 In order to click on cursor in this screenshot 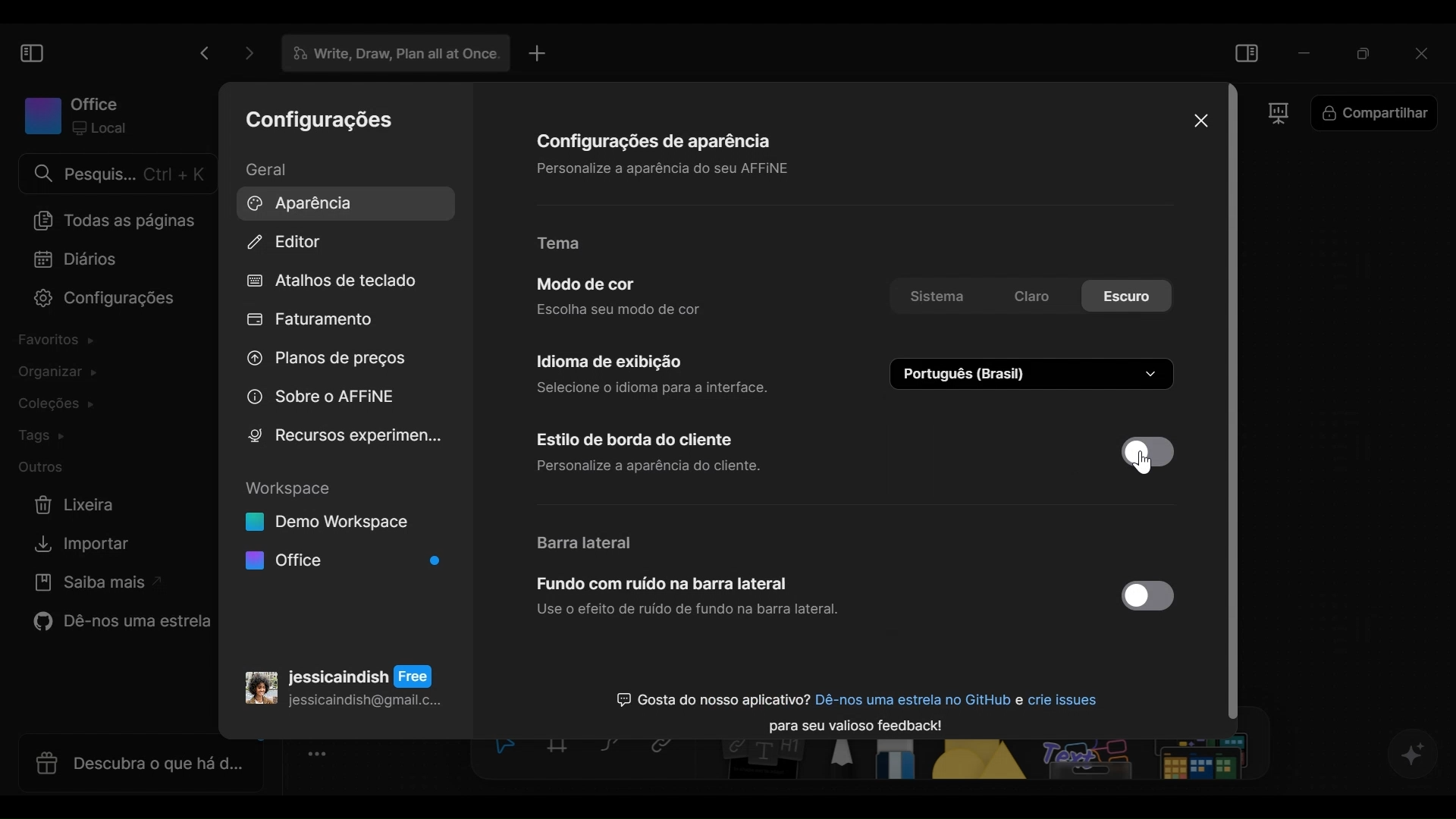, I will do `click(1151, 470)`.